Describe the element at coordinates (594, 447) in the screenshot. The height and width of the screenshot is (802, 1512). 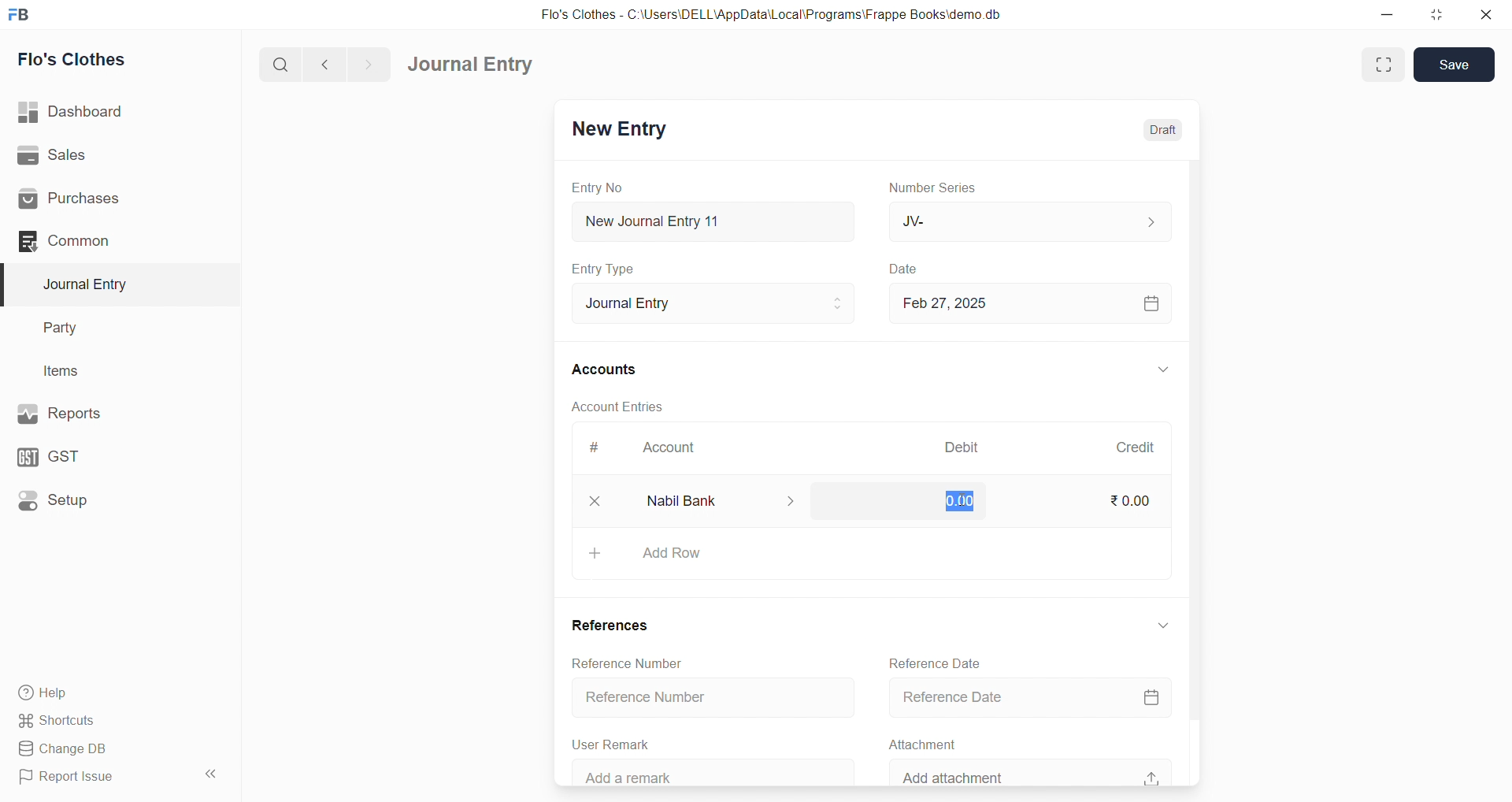
I see `#` at that location.